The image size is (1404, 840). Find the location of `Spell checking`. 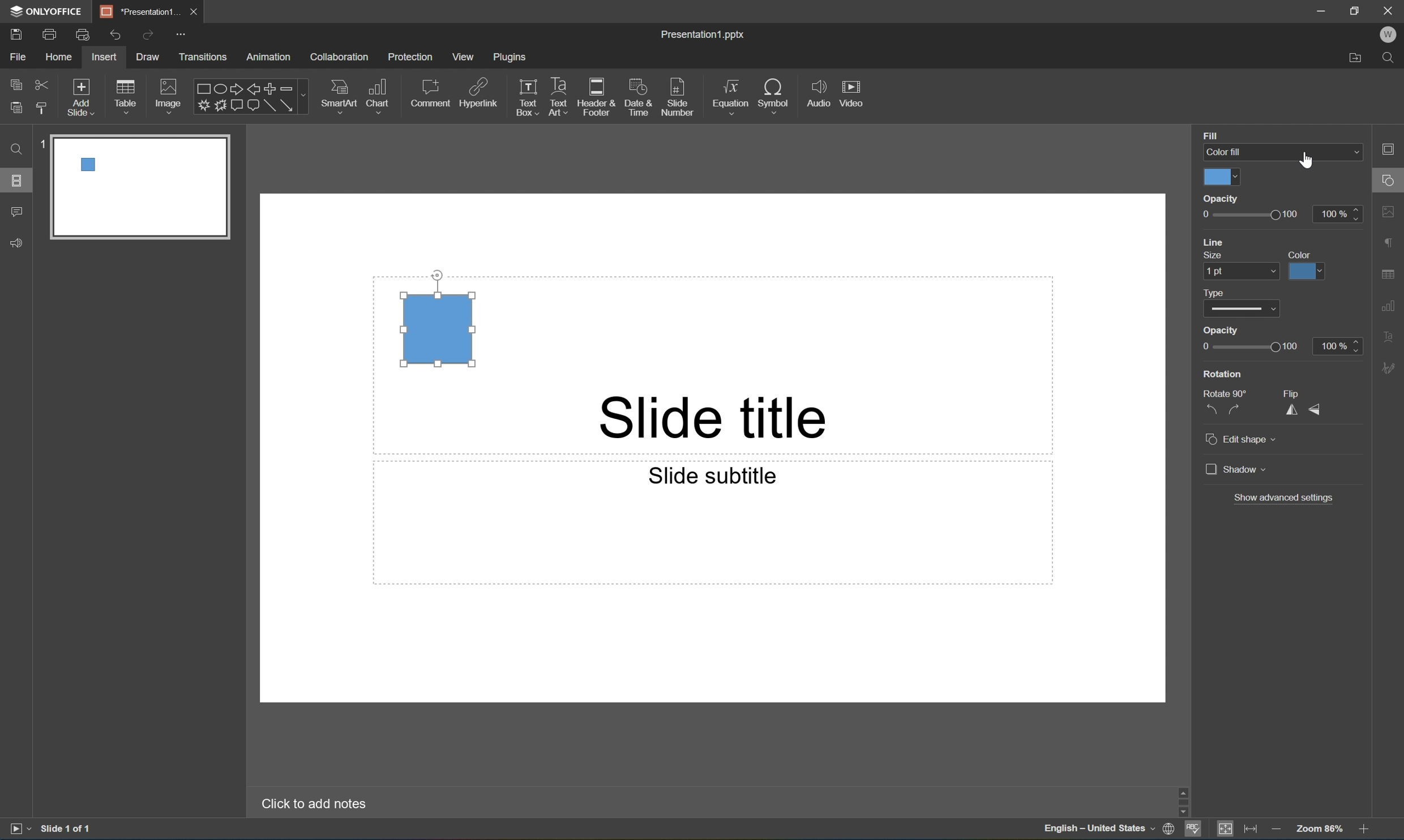

Spell checking is located at coordinates (1193, 830).